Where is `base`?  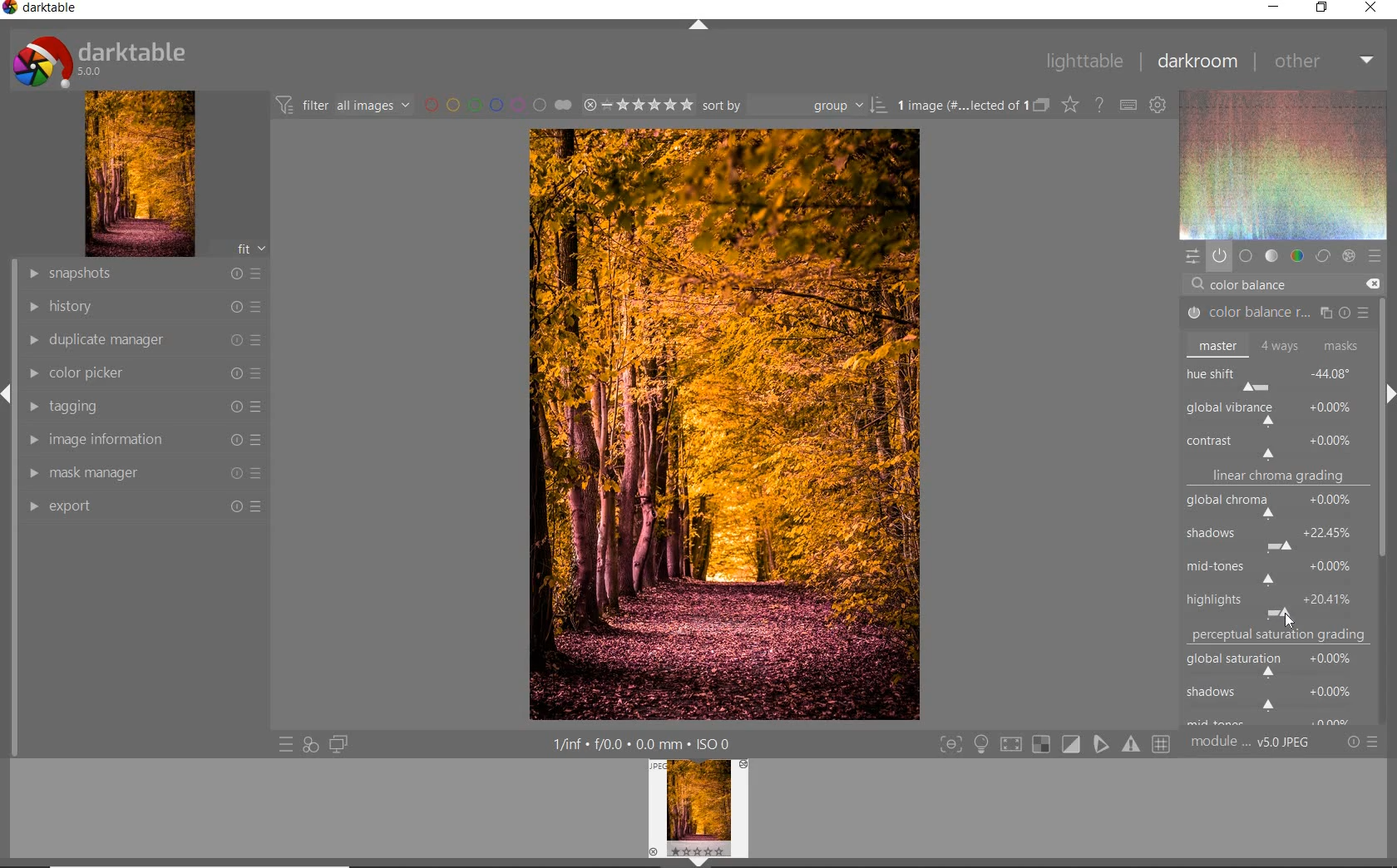 base is located at coordinates (1246, 256).